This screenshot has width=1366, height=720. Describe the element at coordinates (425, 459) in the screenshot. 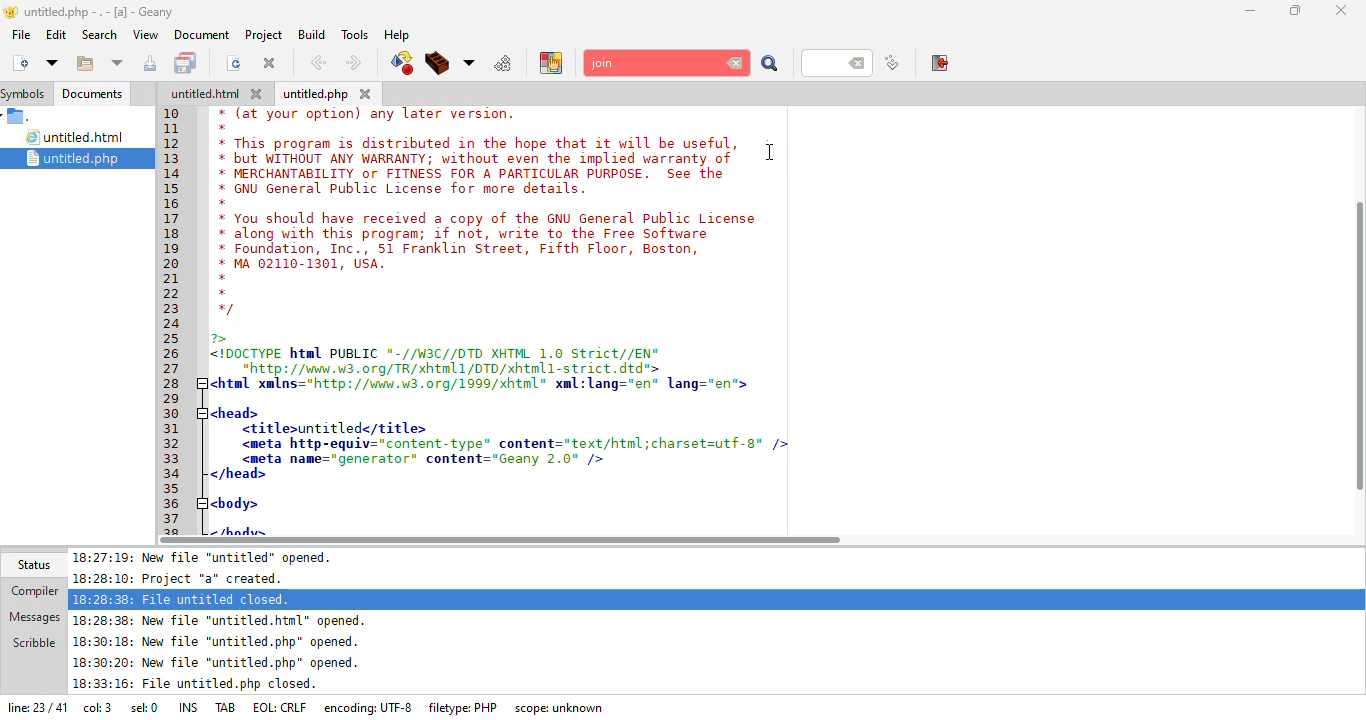

I see `<meta name="generator" content="Geany 2.0" />` at that location.